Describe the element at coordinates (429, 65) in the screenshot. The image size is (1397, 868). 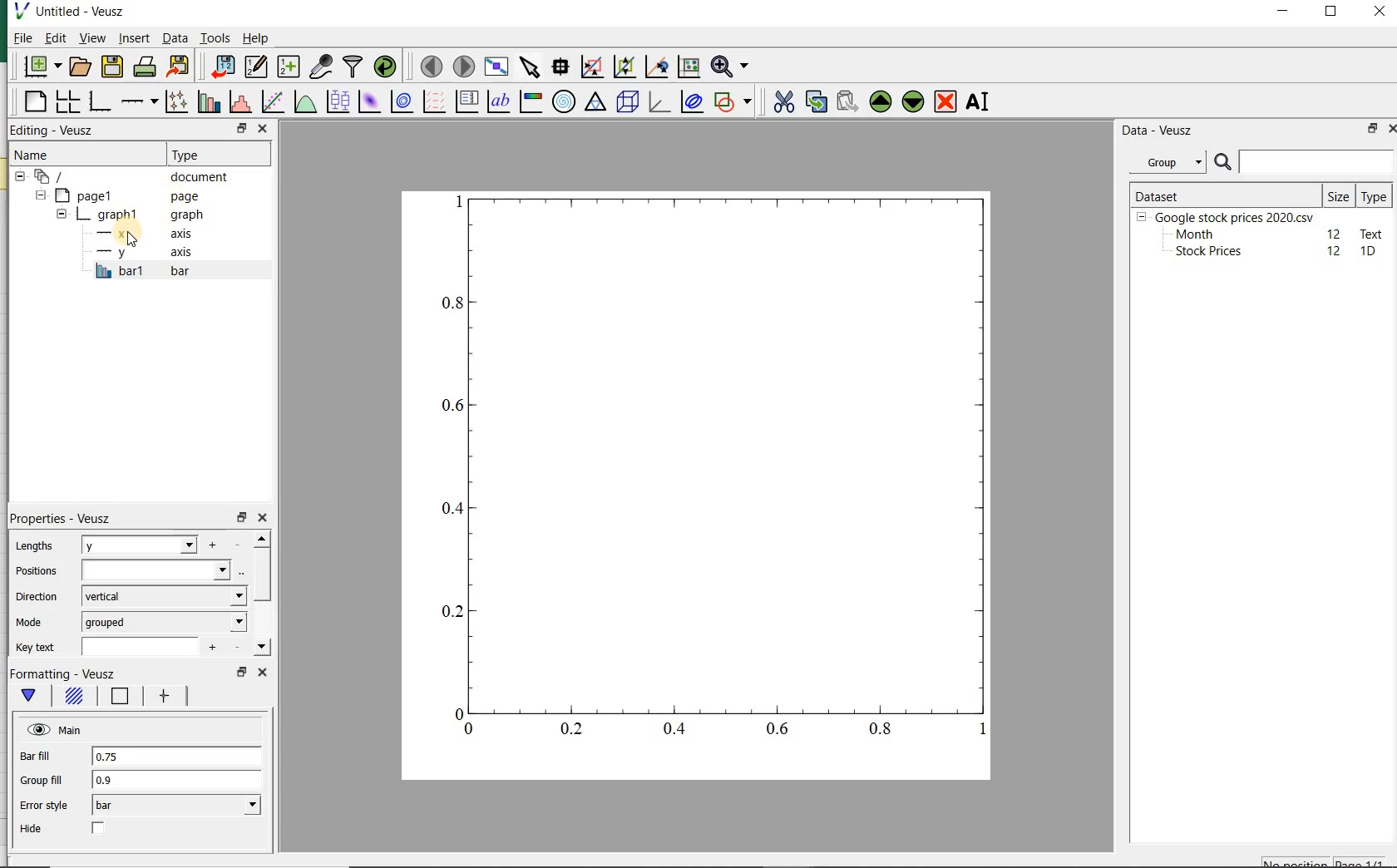
I see `move to the previous page` at that location.